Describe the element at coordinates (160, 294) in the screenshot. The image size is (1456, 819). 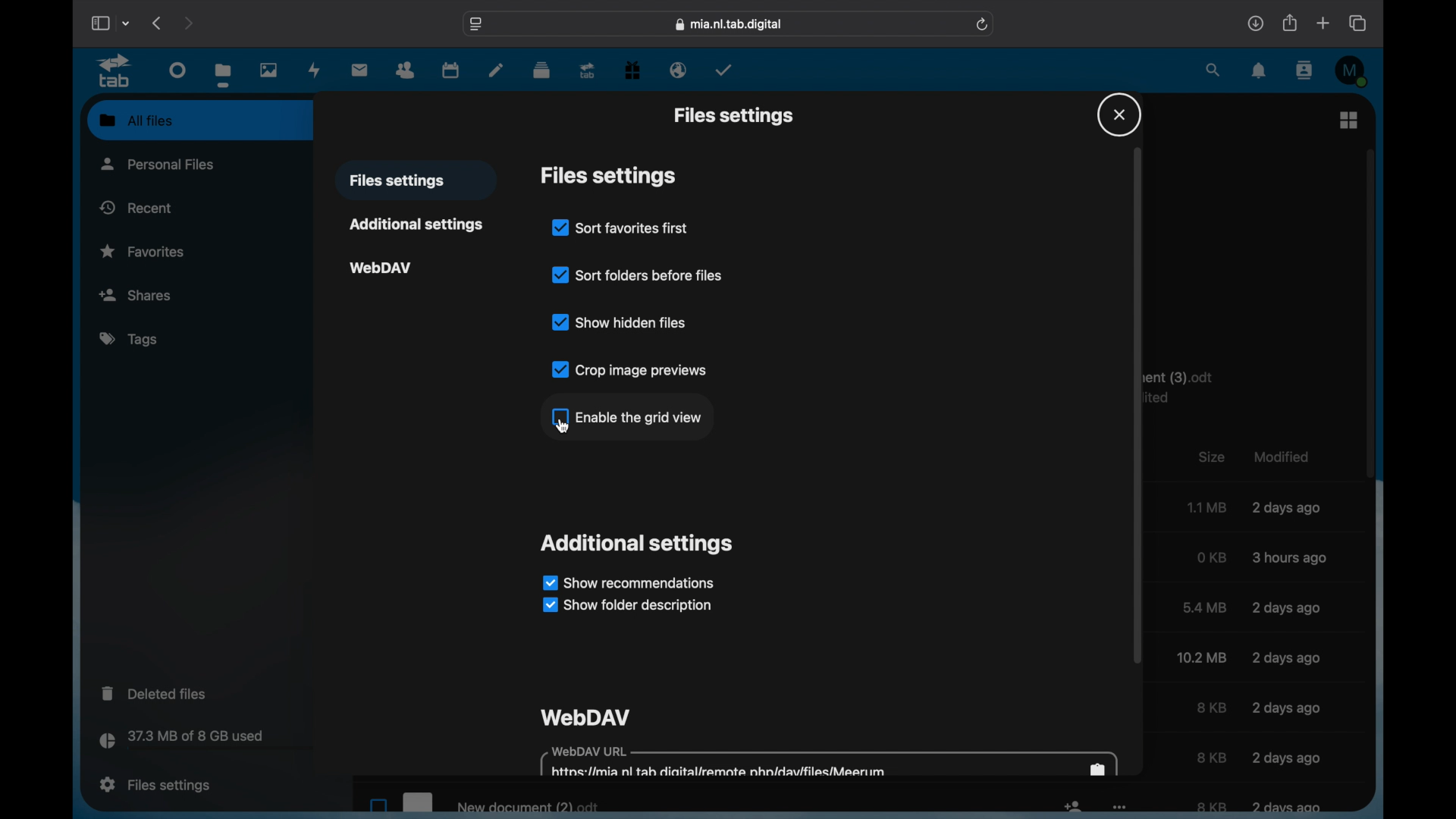
I see `shares` at that location.